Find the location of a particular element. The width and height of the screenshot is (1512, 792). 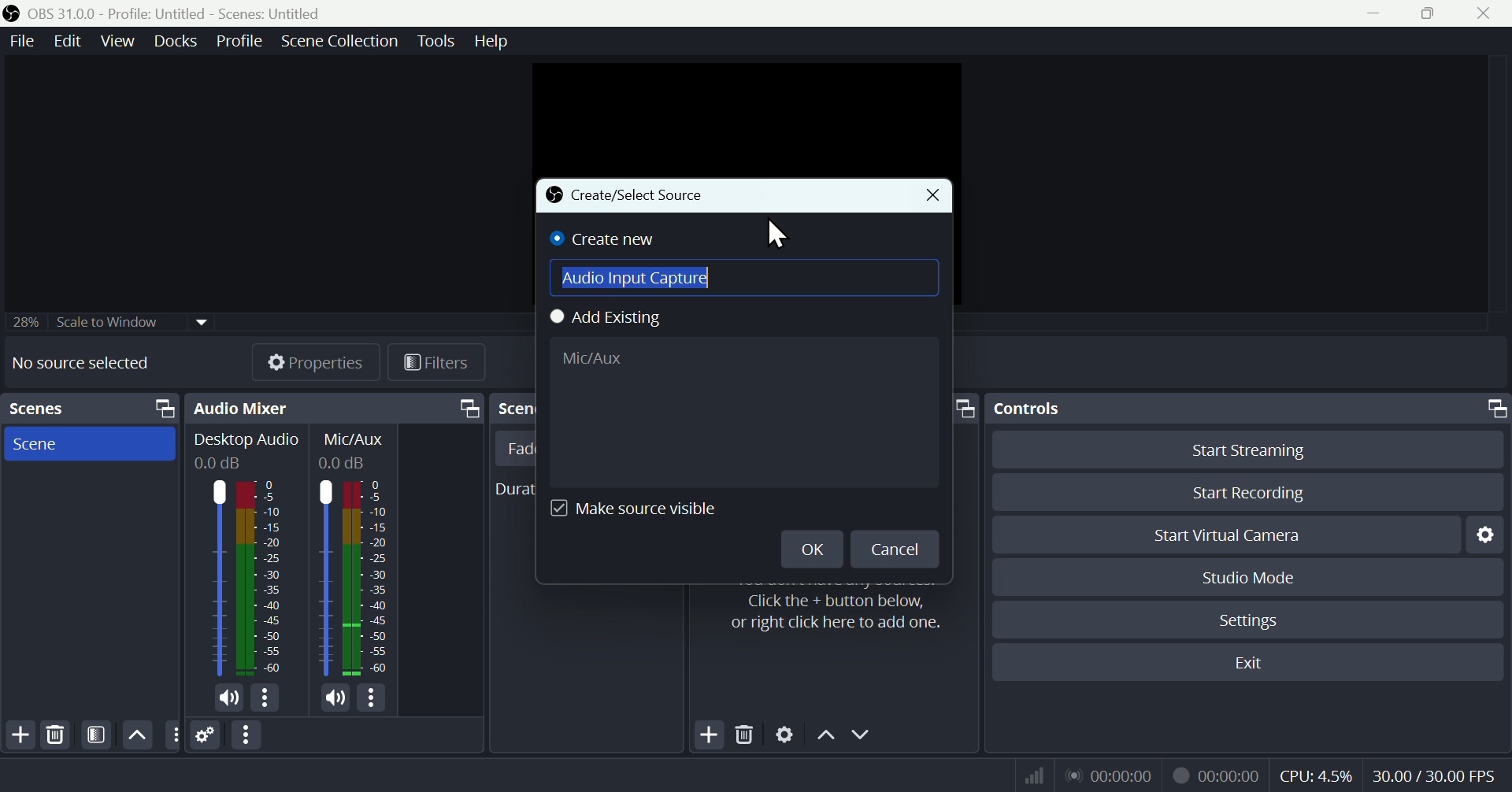

Scenes is located at coordinates (89, 409).